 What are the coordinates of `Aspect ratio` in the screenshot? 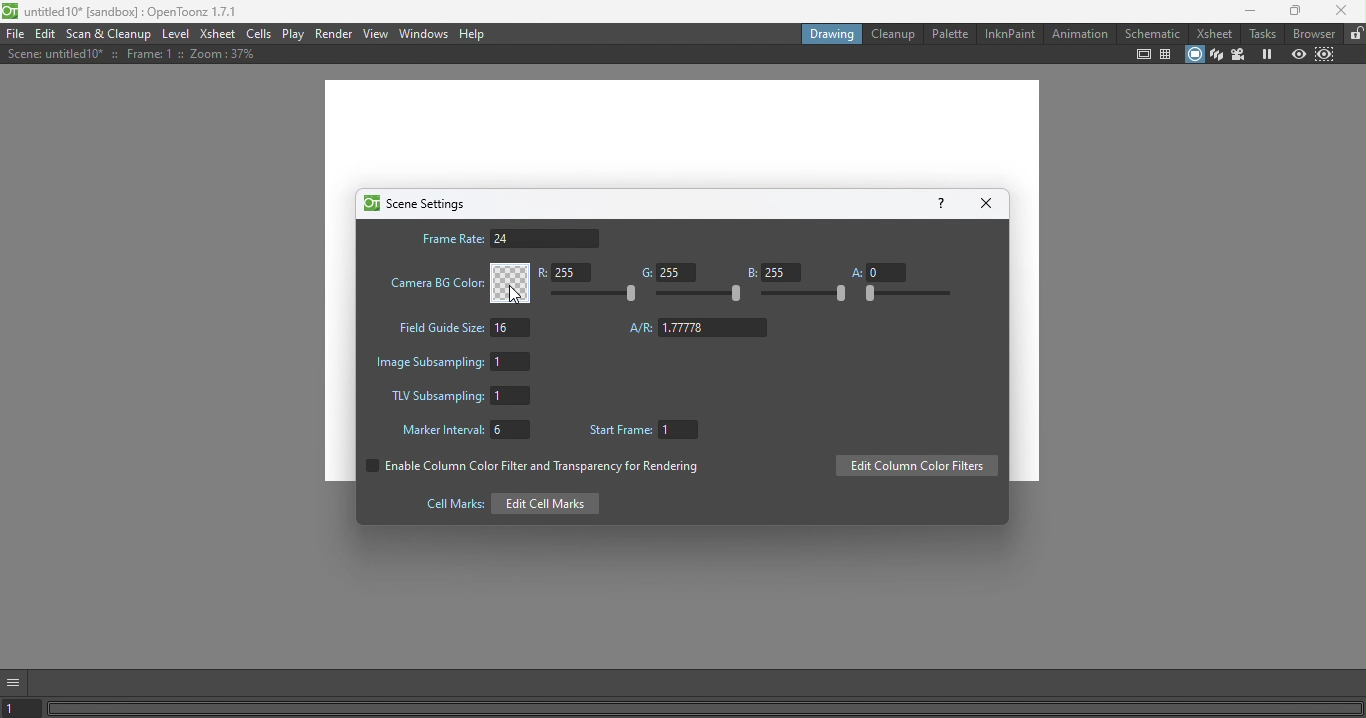 It's located at (699, 328).